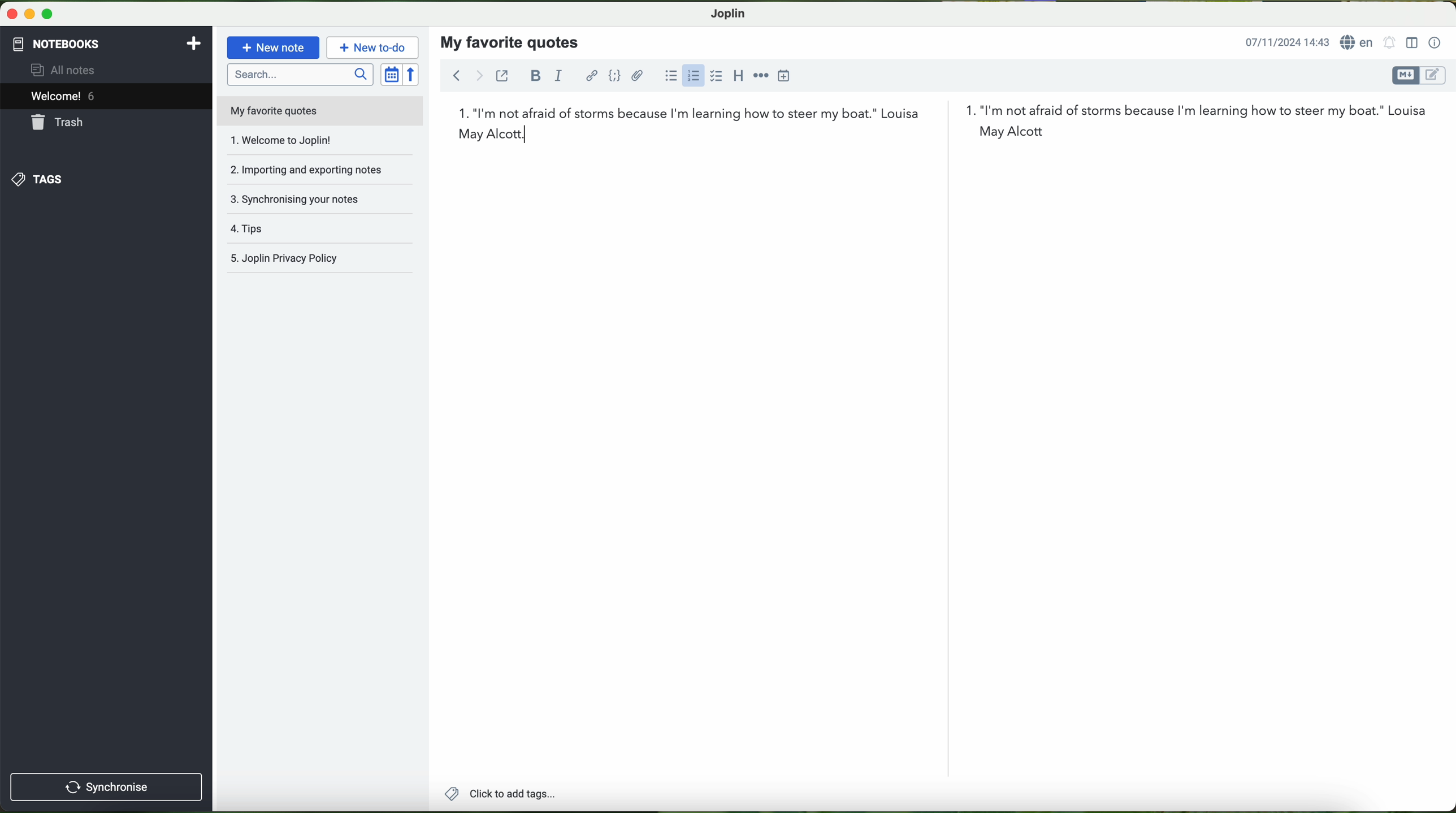 The image size is (1456, 813). What do you see at coordinates (761, 76) in the screenshot?
I see `horizontal rule` at bounding box center [761, 76].